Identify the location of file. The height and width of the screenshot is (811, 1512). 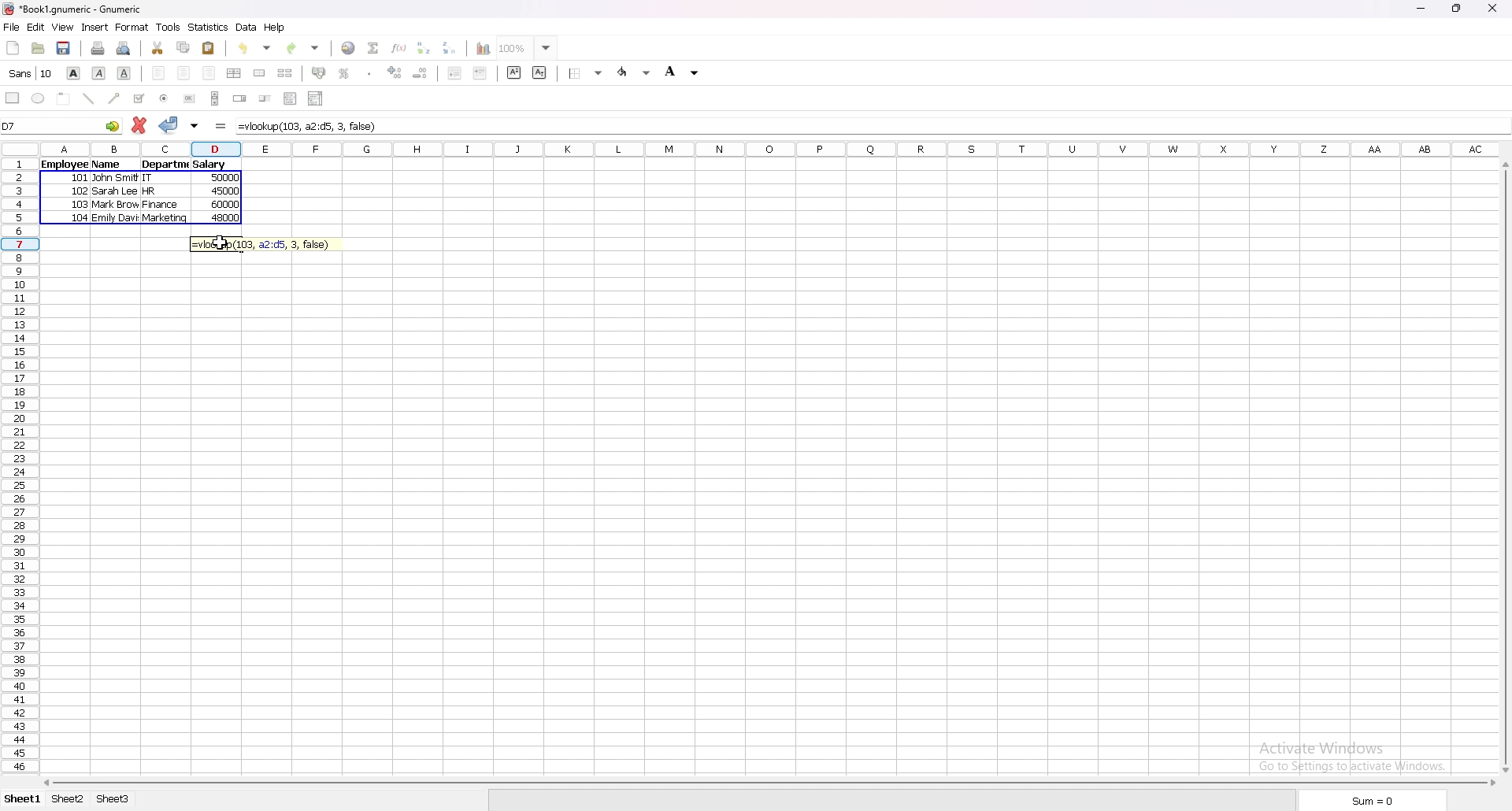
(11, 26).